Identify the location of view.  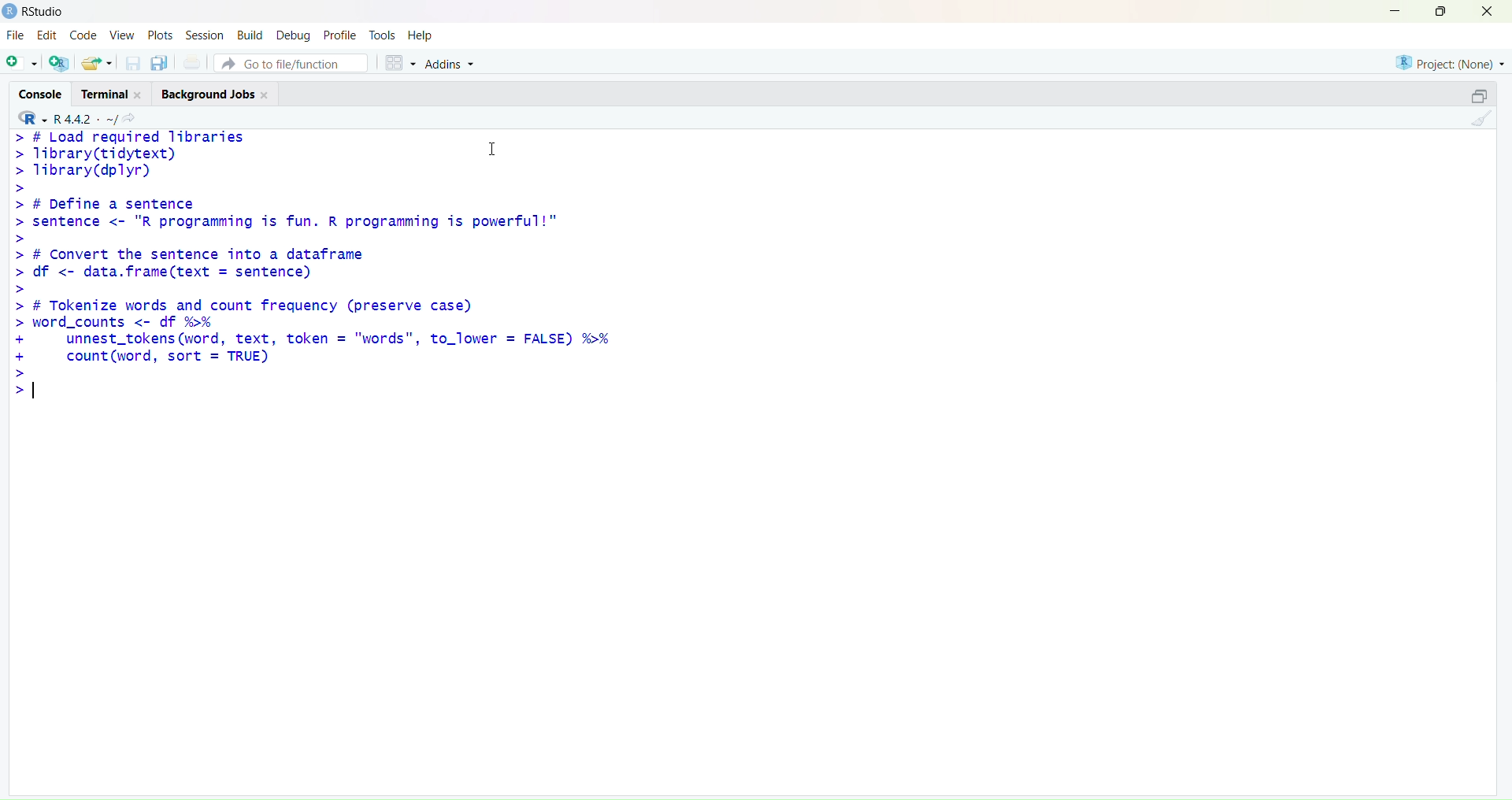
(124, 35).